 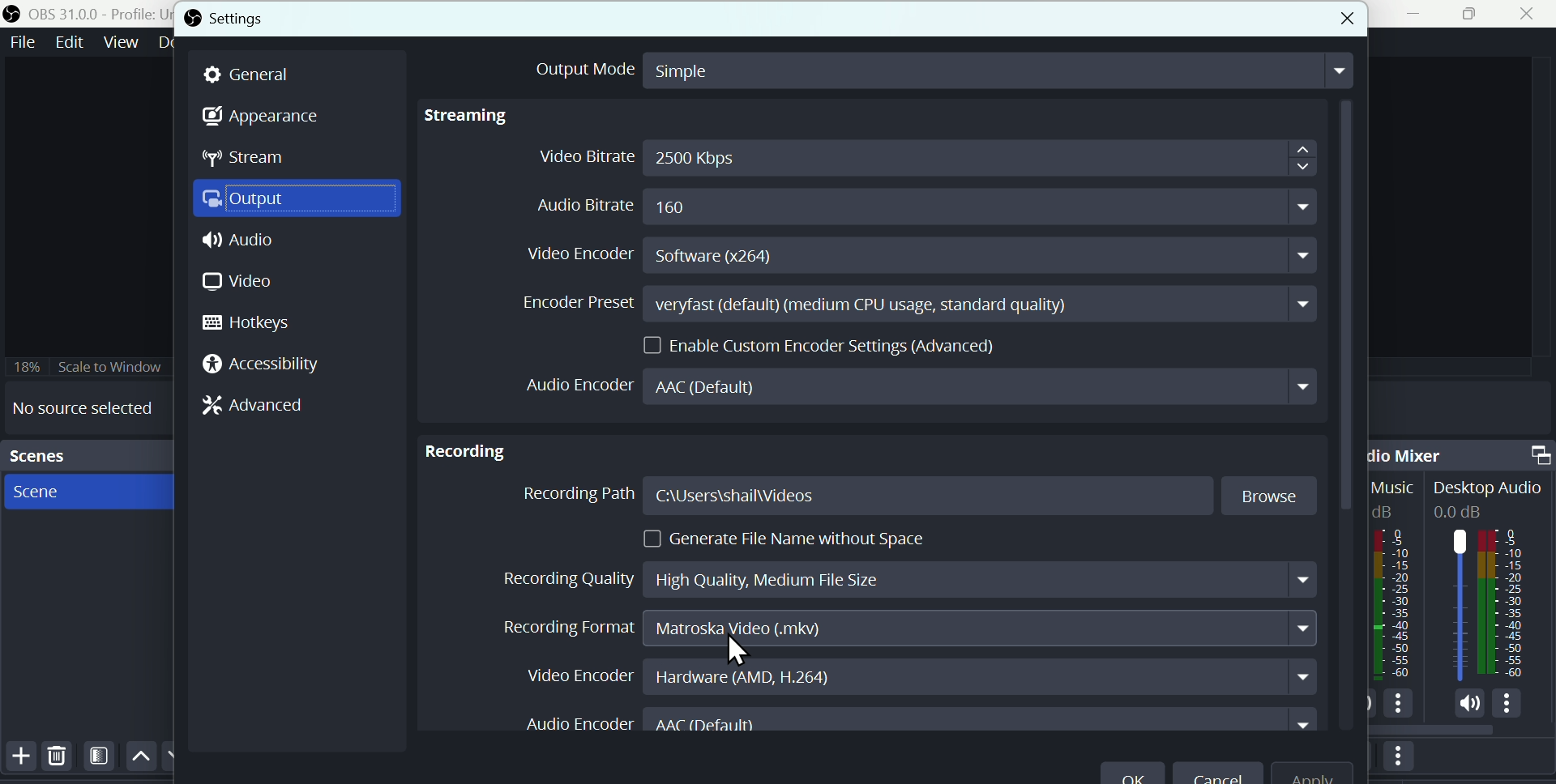 What do you see at coordinates (1422, 15) in the screenshot?
I see `minimise` at bounding box center [1422, 15].